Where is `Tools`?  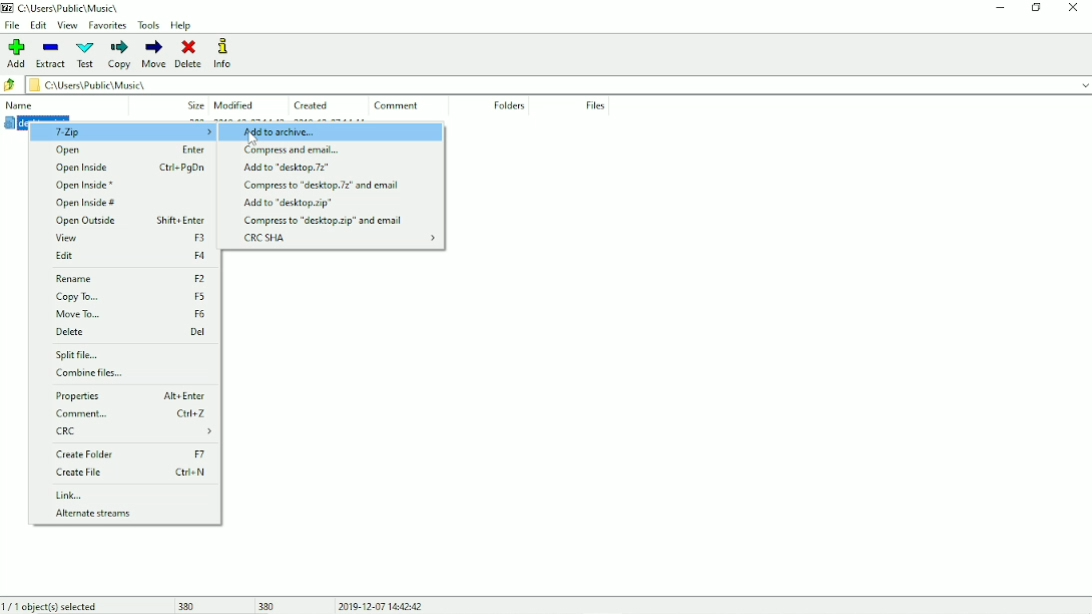
Tools is located at coordinates (149, 26).